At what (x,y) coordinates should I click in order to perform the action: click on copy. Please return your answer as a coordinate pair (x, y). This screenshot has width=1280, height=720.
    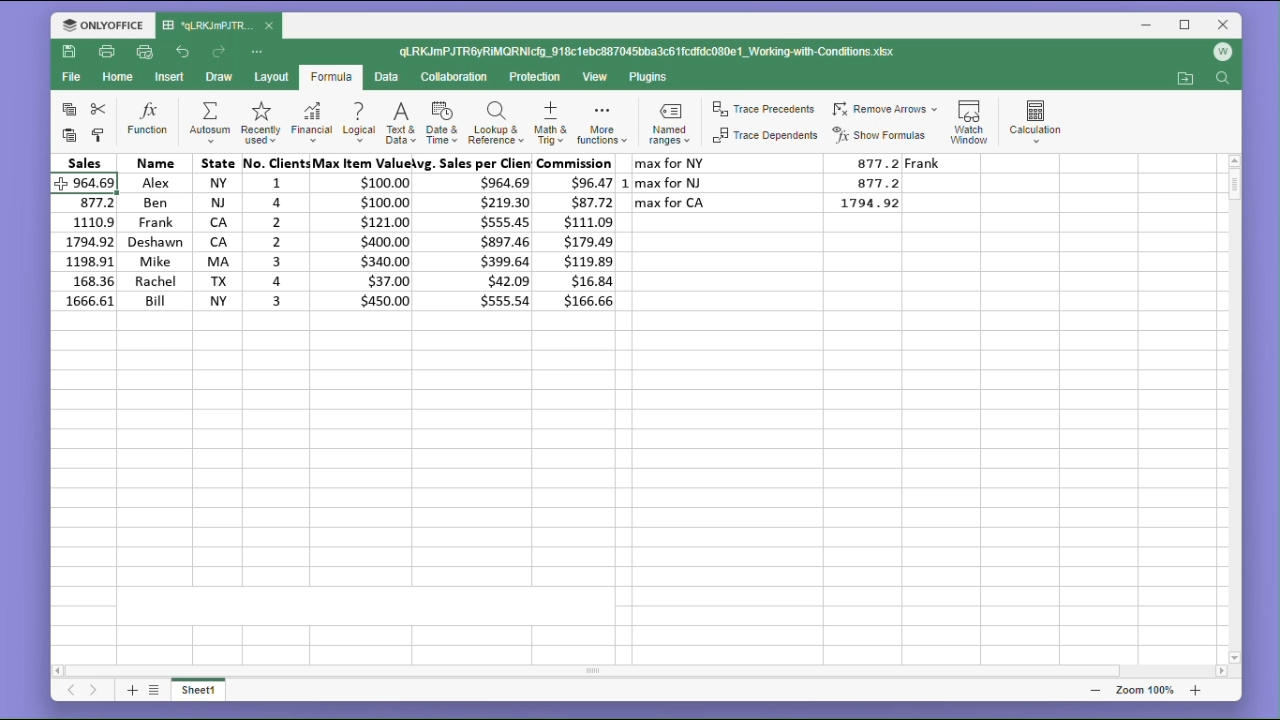
    Looking at the image, I should click on (66, 110).